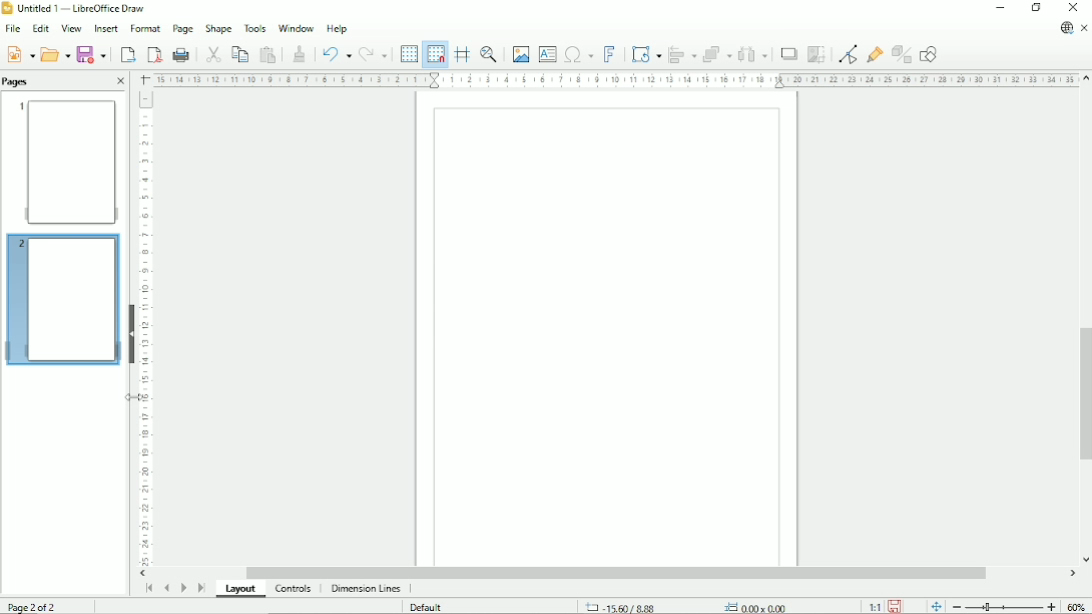 The width and height of the screenshot is (1092, 614). What do you see at coordinates (648, 54) in the screenshot?
I see `Transformation` at bounding box center [648, 54].